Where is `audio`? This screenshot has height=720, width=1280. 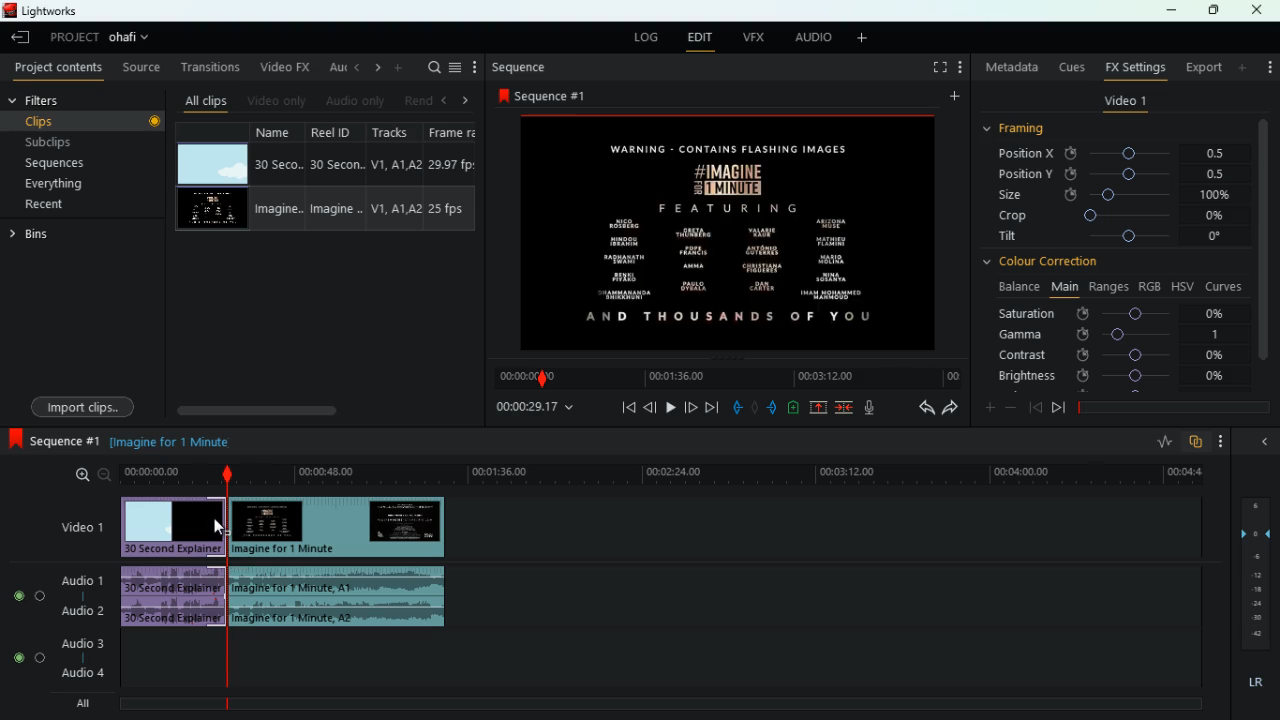 audio is located at coordinates (176, 597).